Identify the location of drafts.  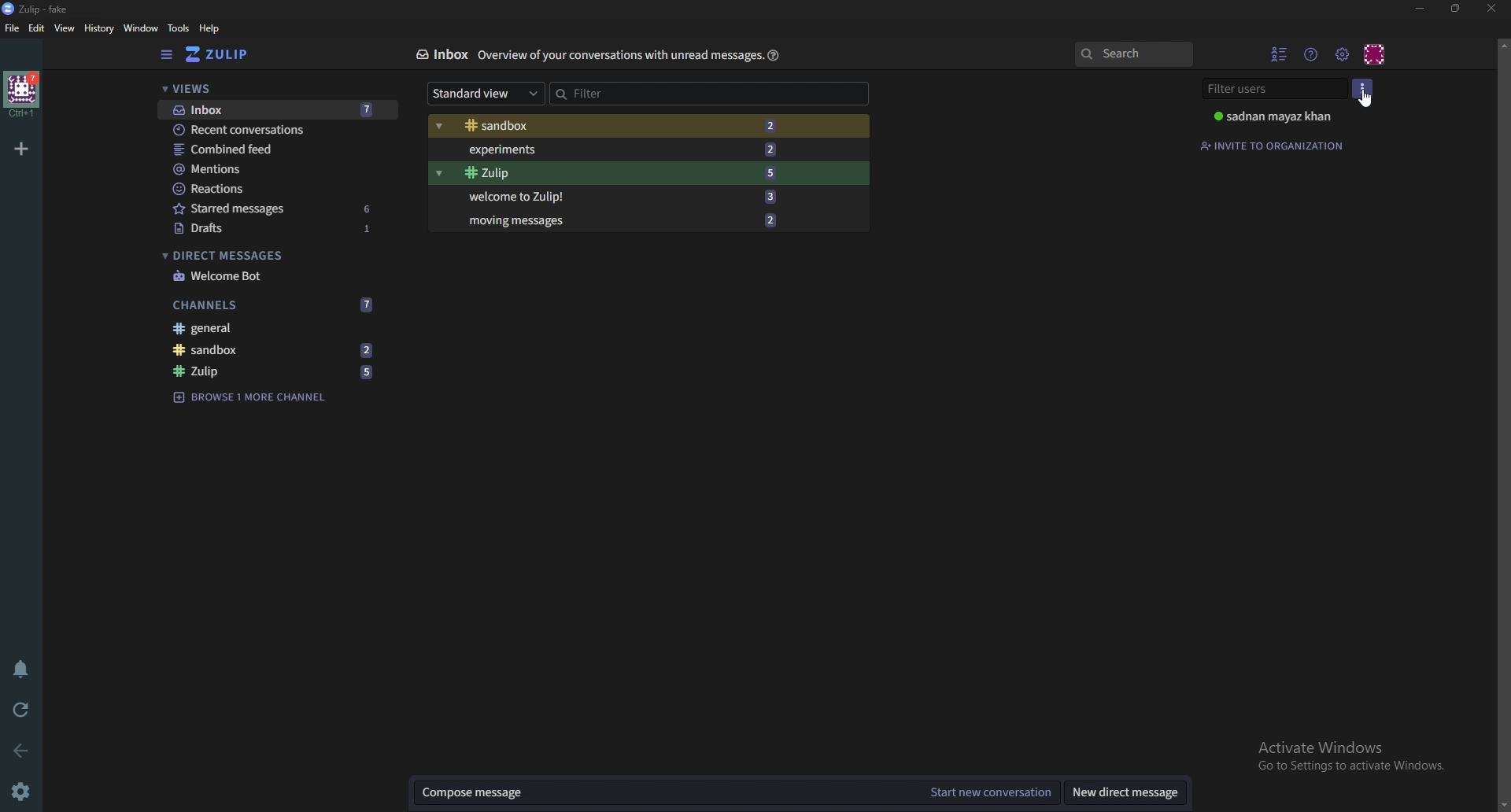
(275, 229).